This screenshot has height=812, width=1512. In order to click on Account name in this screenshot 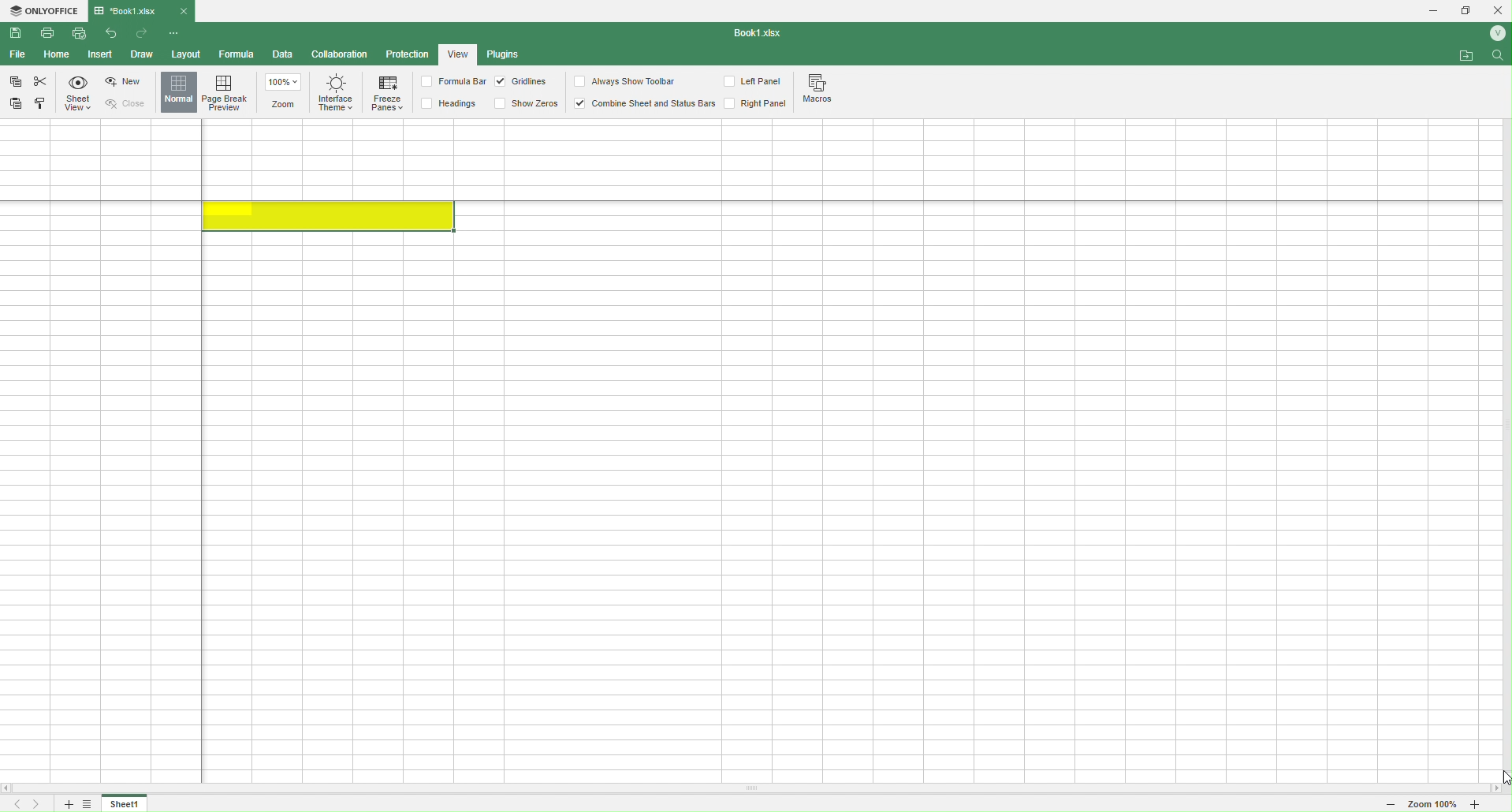, I will do `click(1494, 33)`.